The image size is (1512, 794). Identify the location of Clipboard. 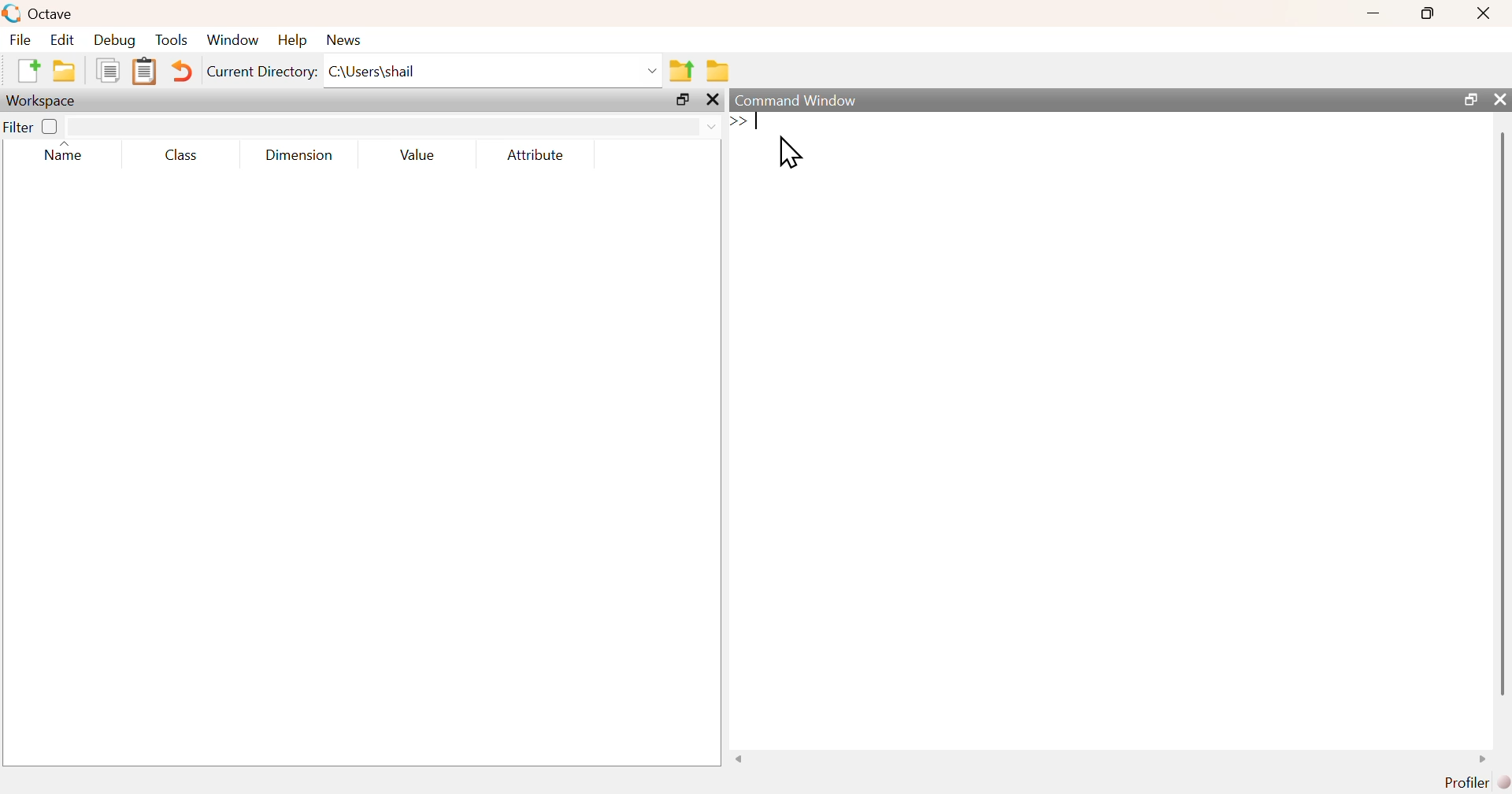
(143, 72).